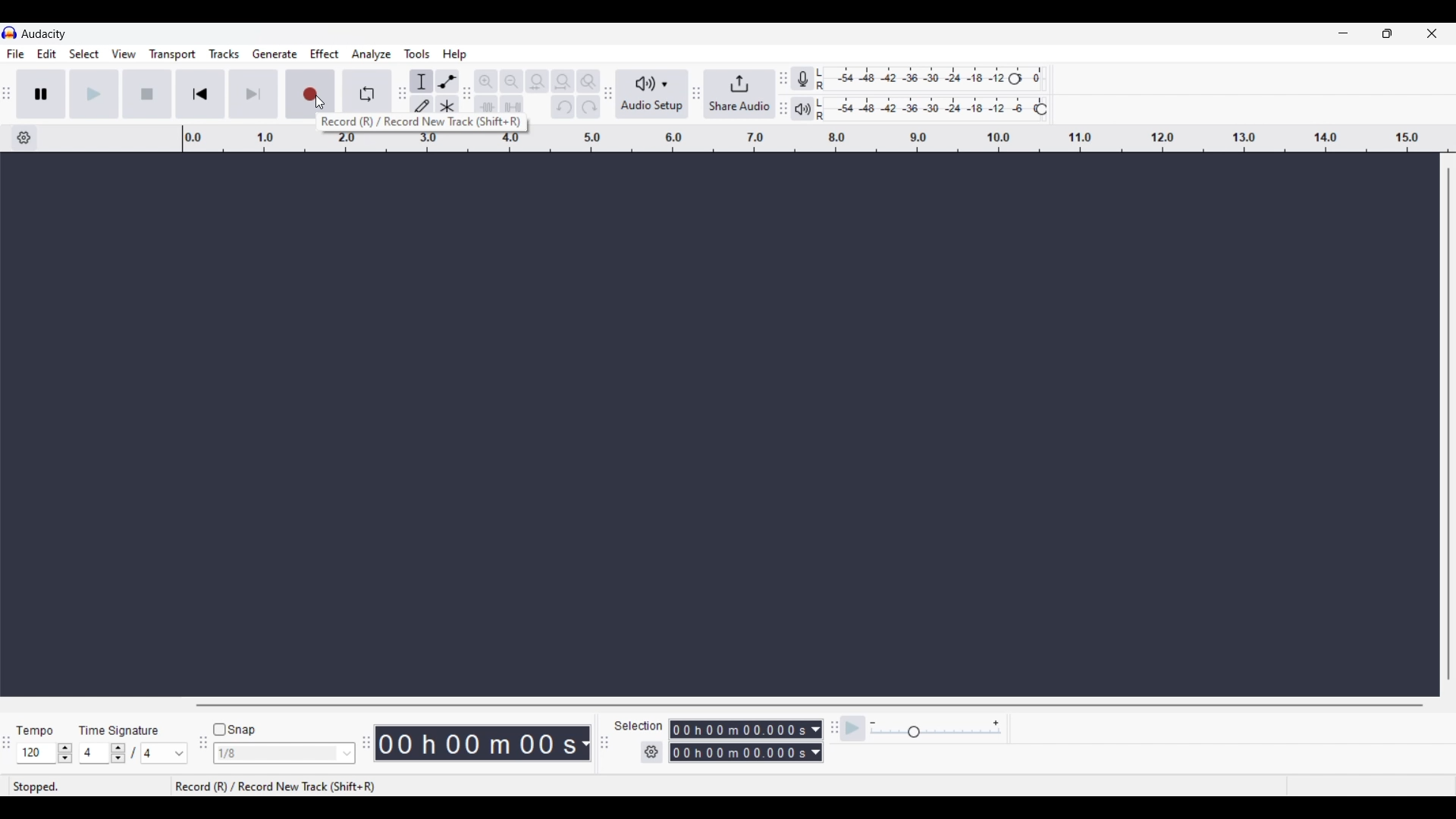  What do you see at coordinates (641, 726) in the screenshot?
I see `selection` at bounding box center [641, 726].